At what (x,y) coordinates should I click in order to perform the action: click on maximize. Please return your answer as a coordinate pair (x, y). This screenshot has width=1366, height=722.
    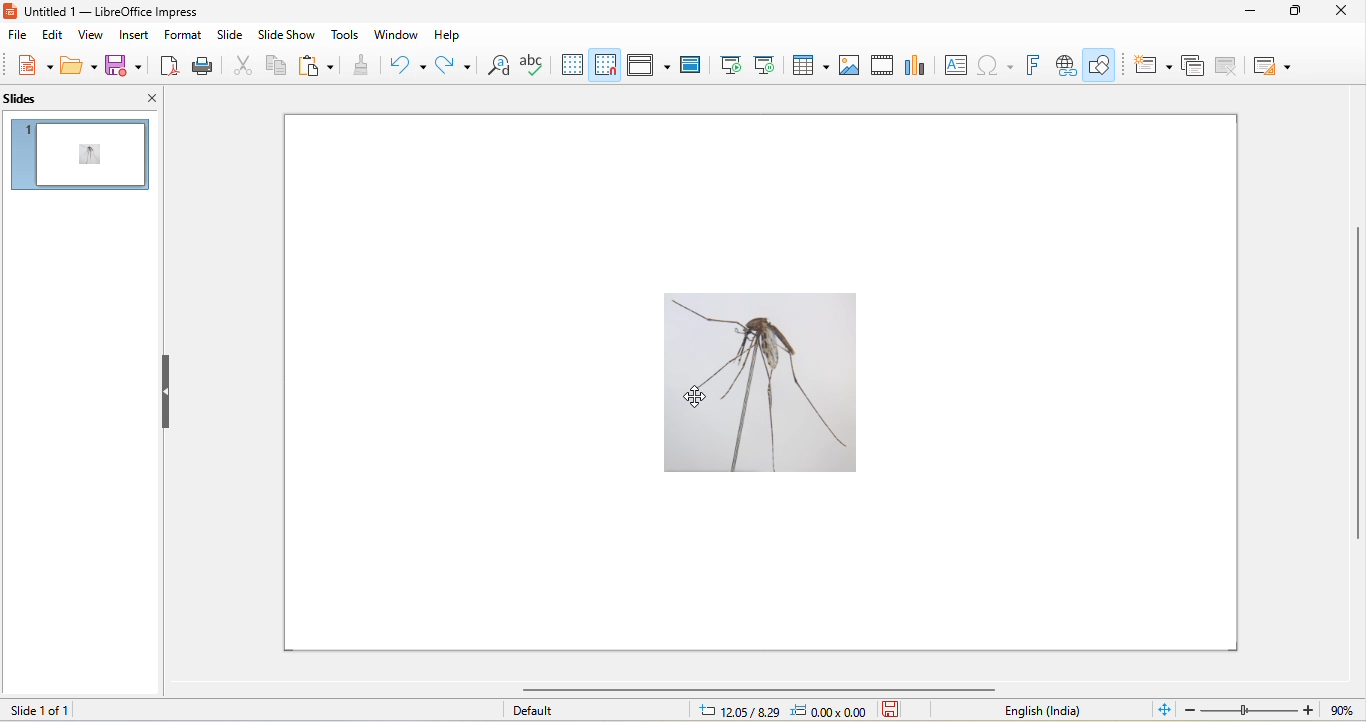
    Looking at the image, I should click on (1298, 15).